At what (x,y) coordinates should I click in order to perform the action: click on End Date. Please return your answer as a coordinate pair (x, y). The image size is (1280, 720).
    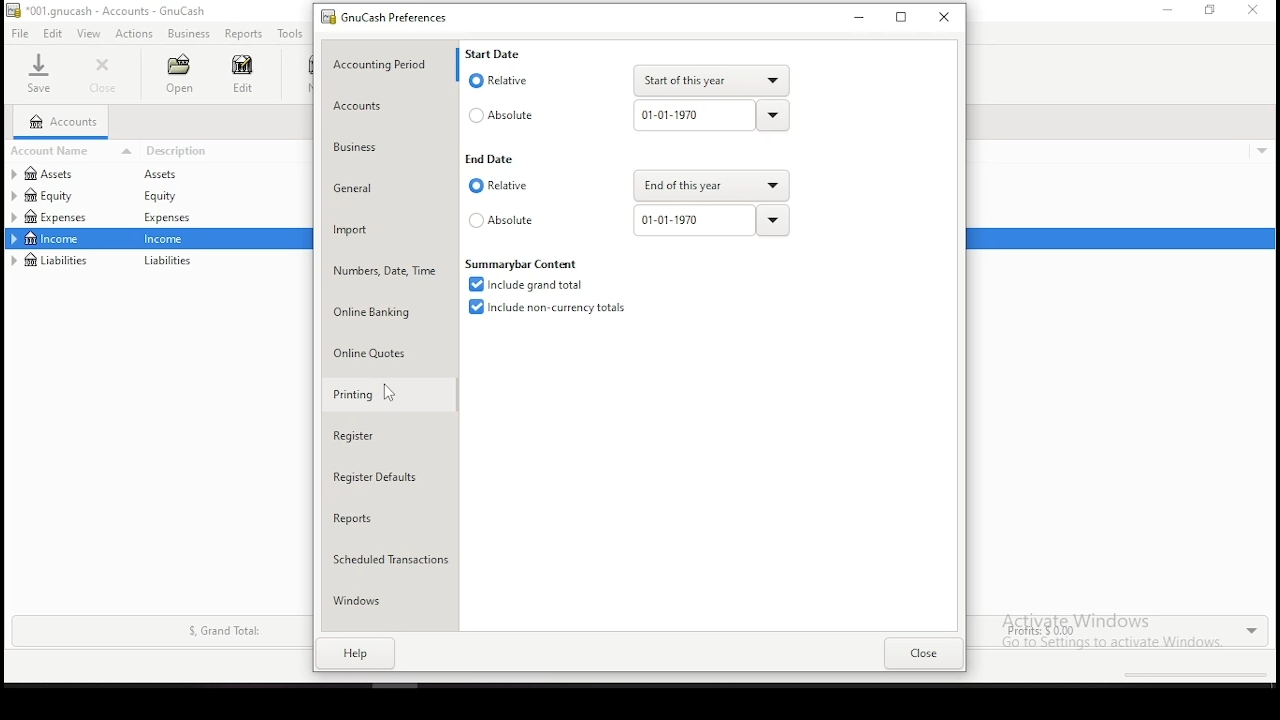
    Looking at the image, I should click on (494, 160).